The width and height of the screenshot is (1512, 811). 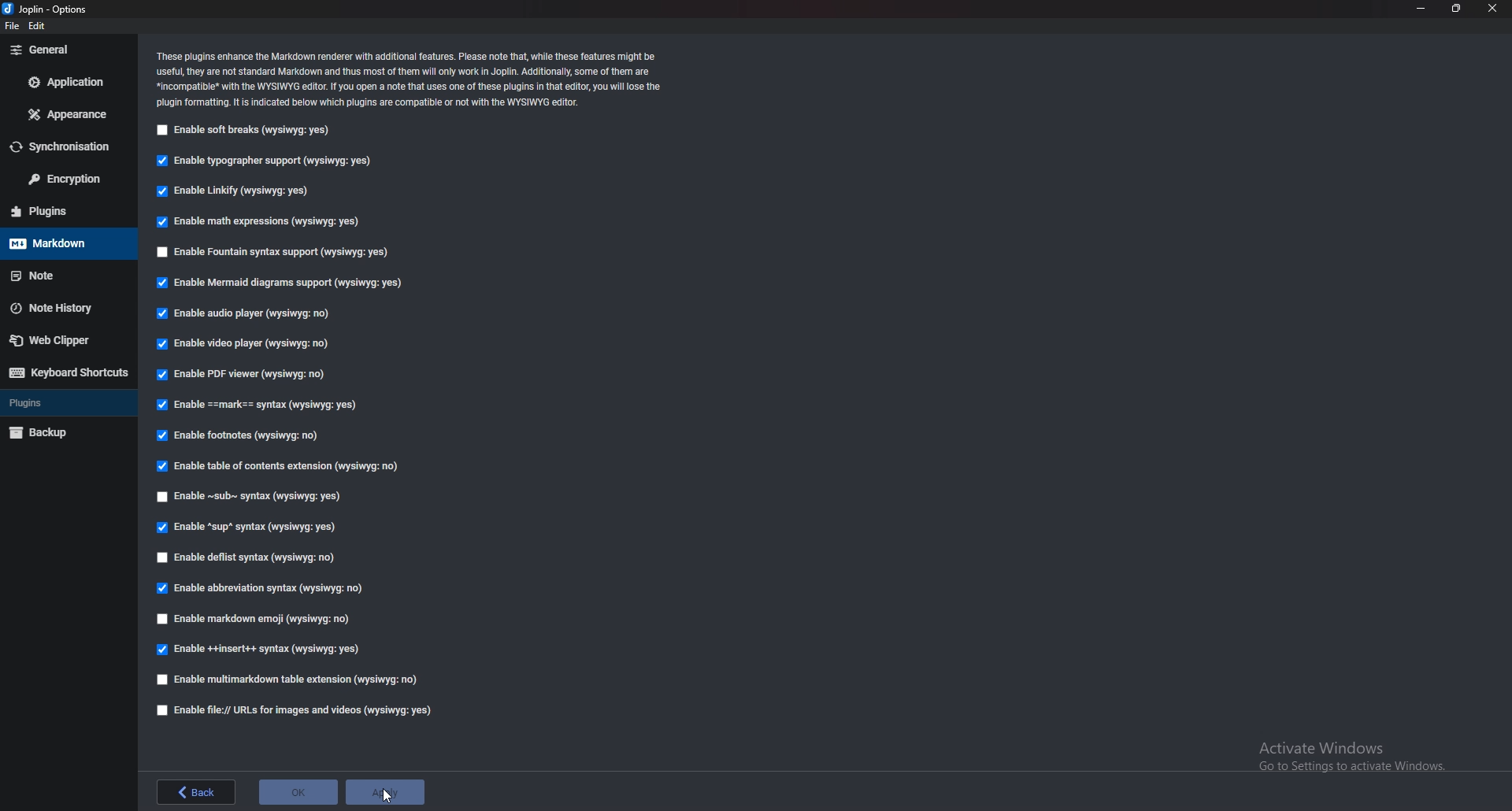 I want to click on plugins, so click(x=67, y=403).